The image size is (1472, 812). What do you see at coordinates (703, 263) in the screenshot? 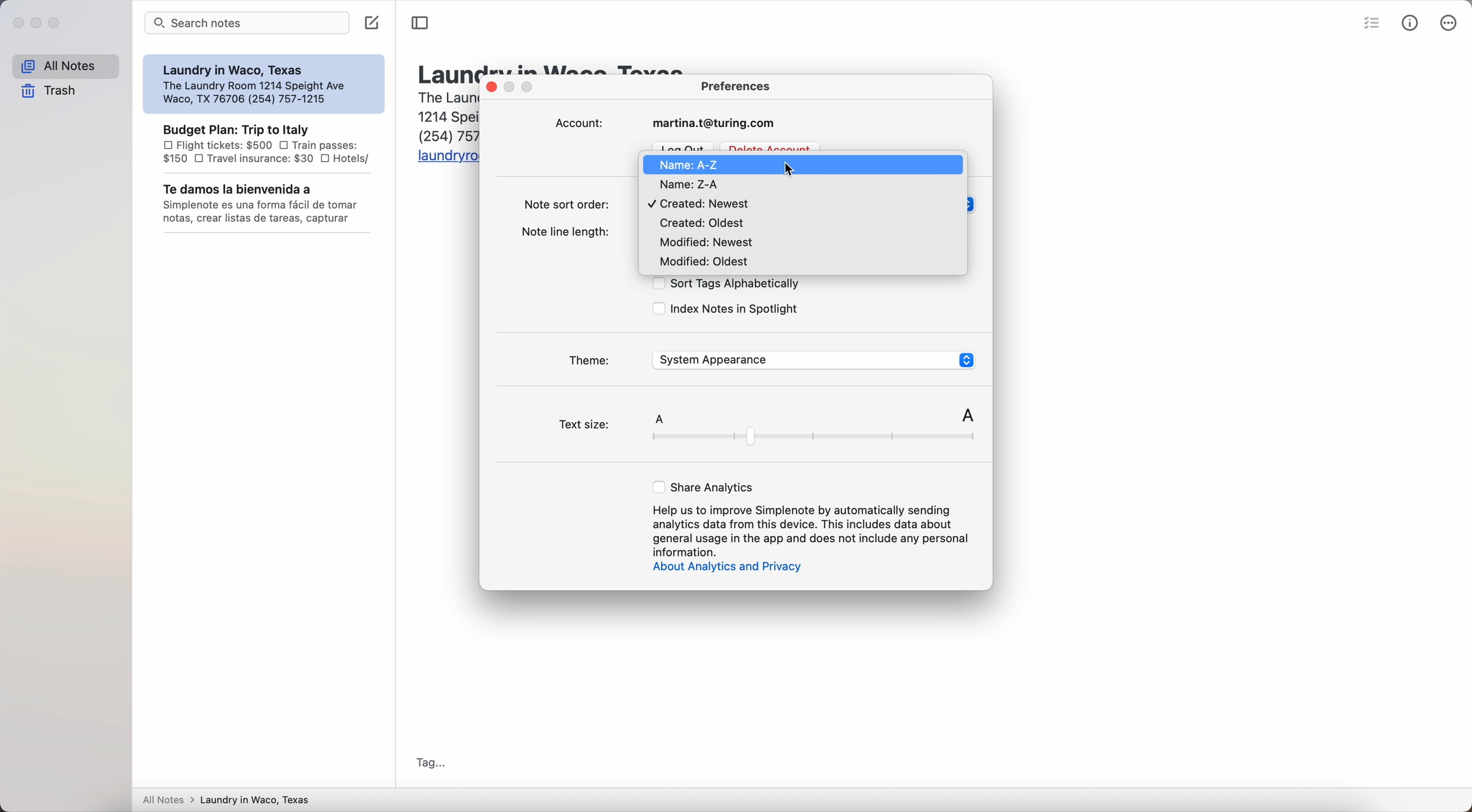
I see `modified: oldest` at bounding box center [703, 263].